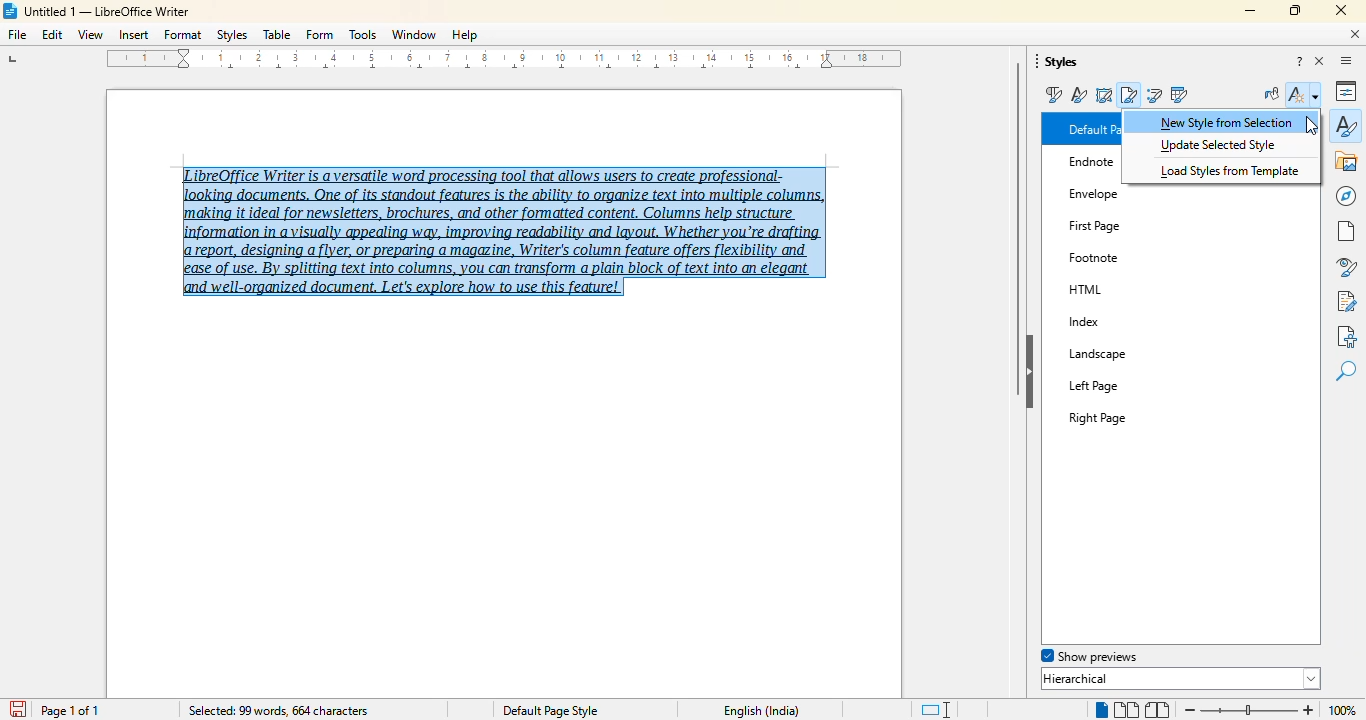 Image resolution: width=1366 pixels, height=720 pixels. What do you see at coordinates (934, 710) in the screenshot?
I see `standard selection` at bounding box center [934, 710].